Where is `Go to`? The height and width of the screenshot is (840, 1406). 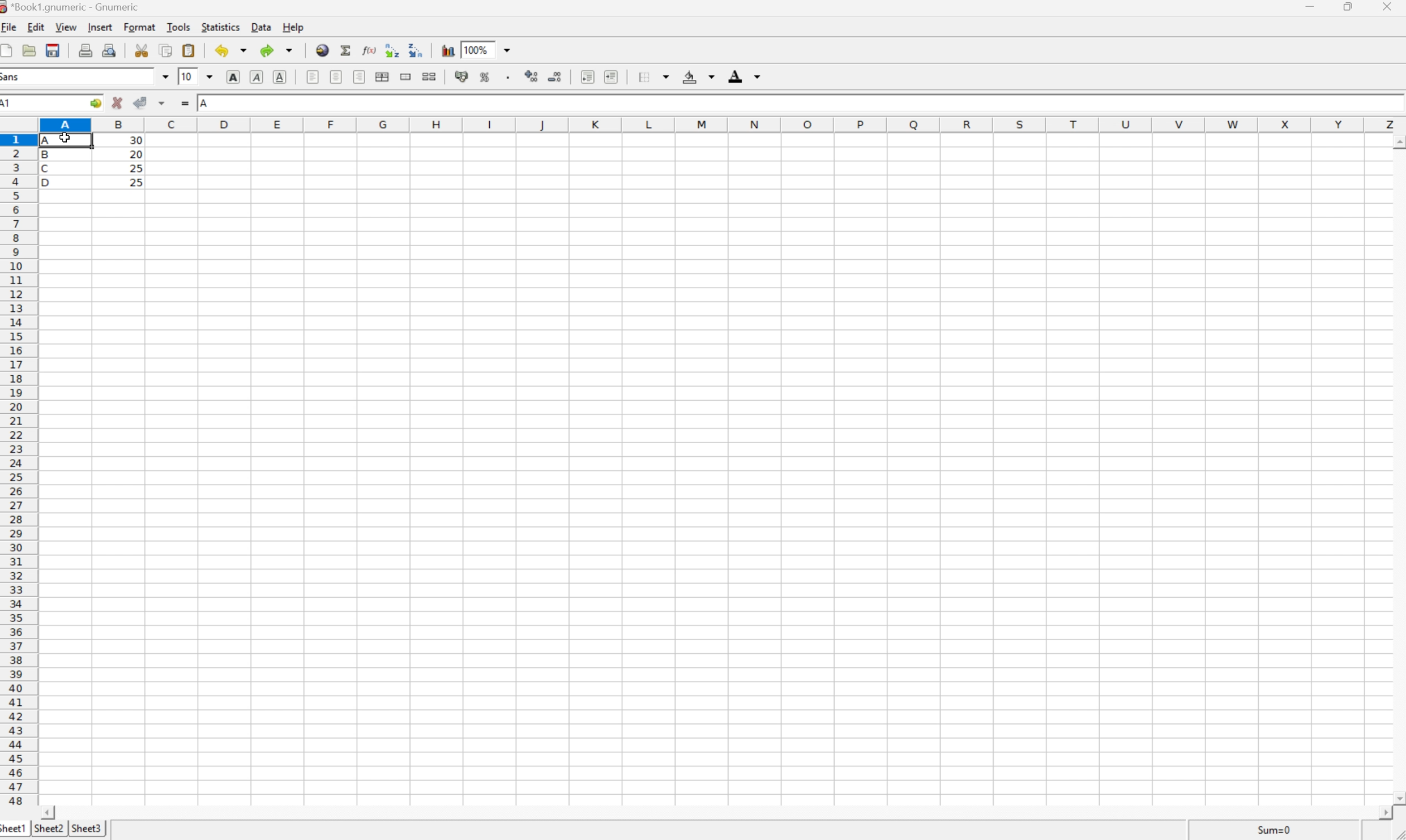 Go to is located at coordinates (95, 101).